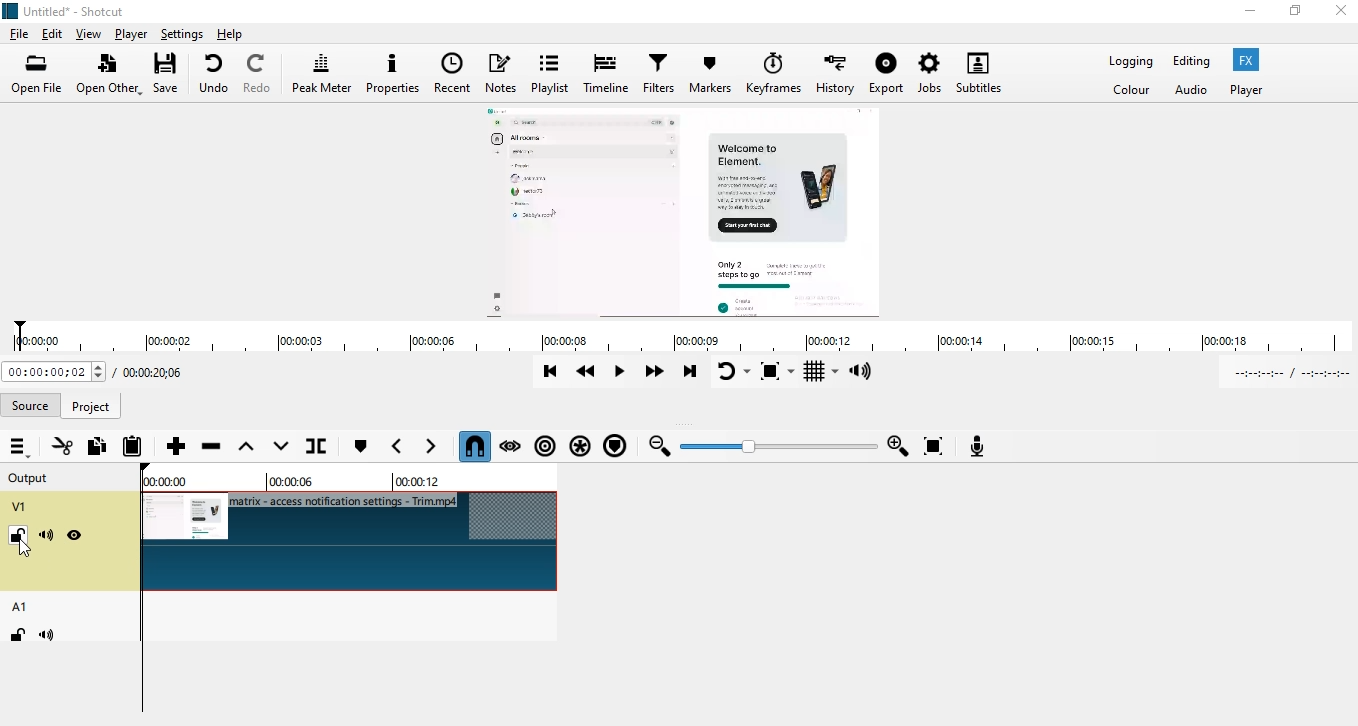  I want to click on logging, so click(1131, 60).